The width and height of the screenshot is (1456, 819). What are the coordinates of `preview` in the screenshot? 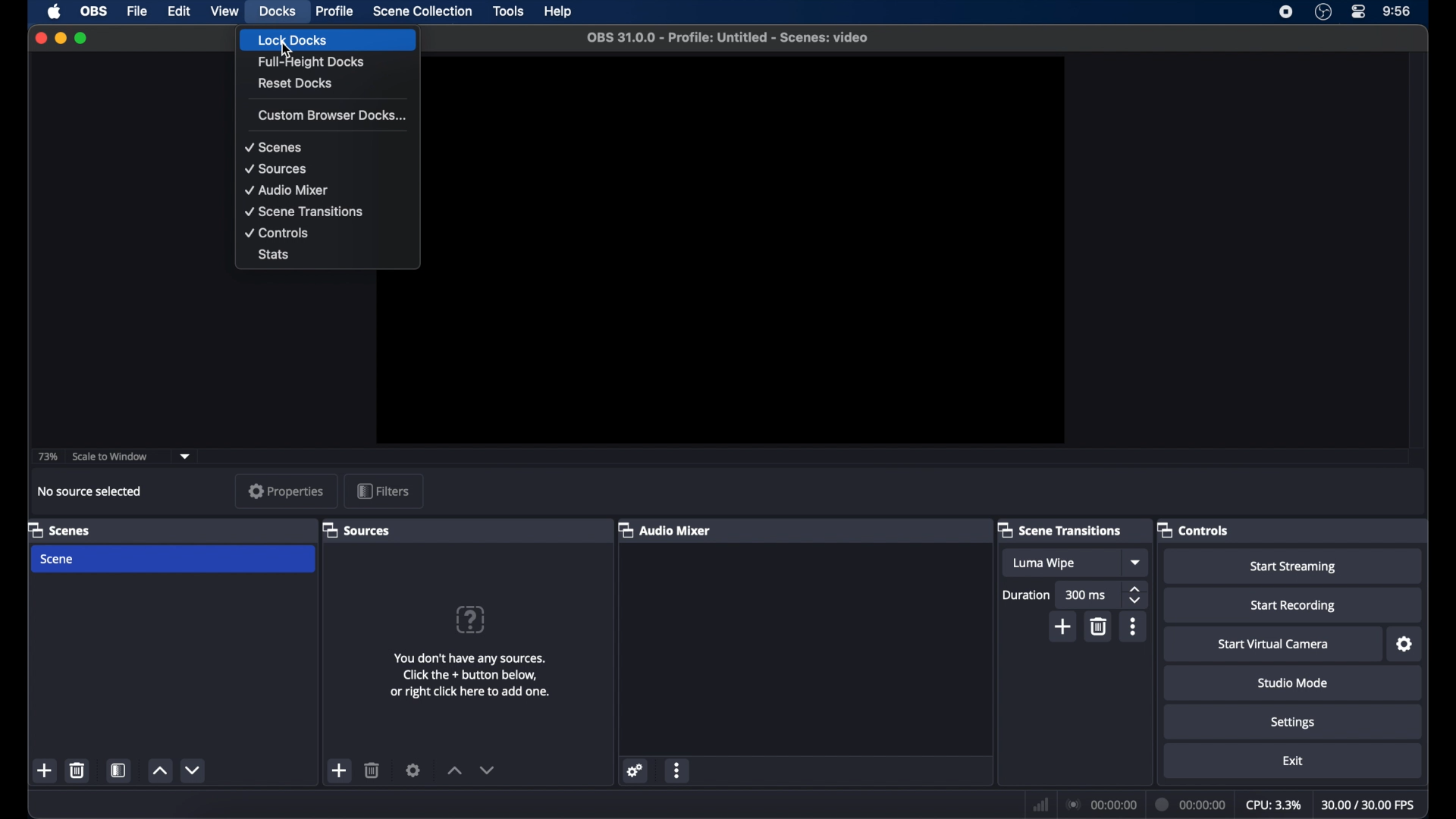 It's located at (746, 249).